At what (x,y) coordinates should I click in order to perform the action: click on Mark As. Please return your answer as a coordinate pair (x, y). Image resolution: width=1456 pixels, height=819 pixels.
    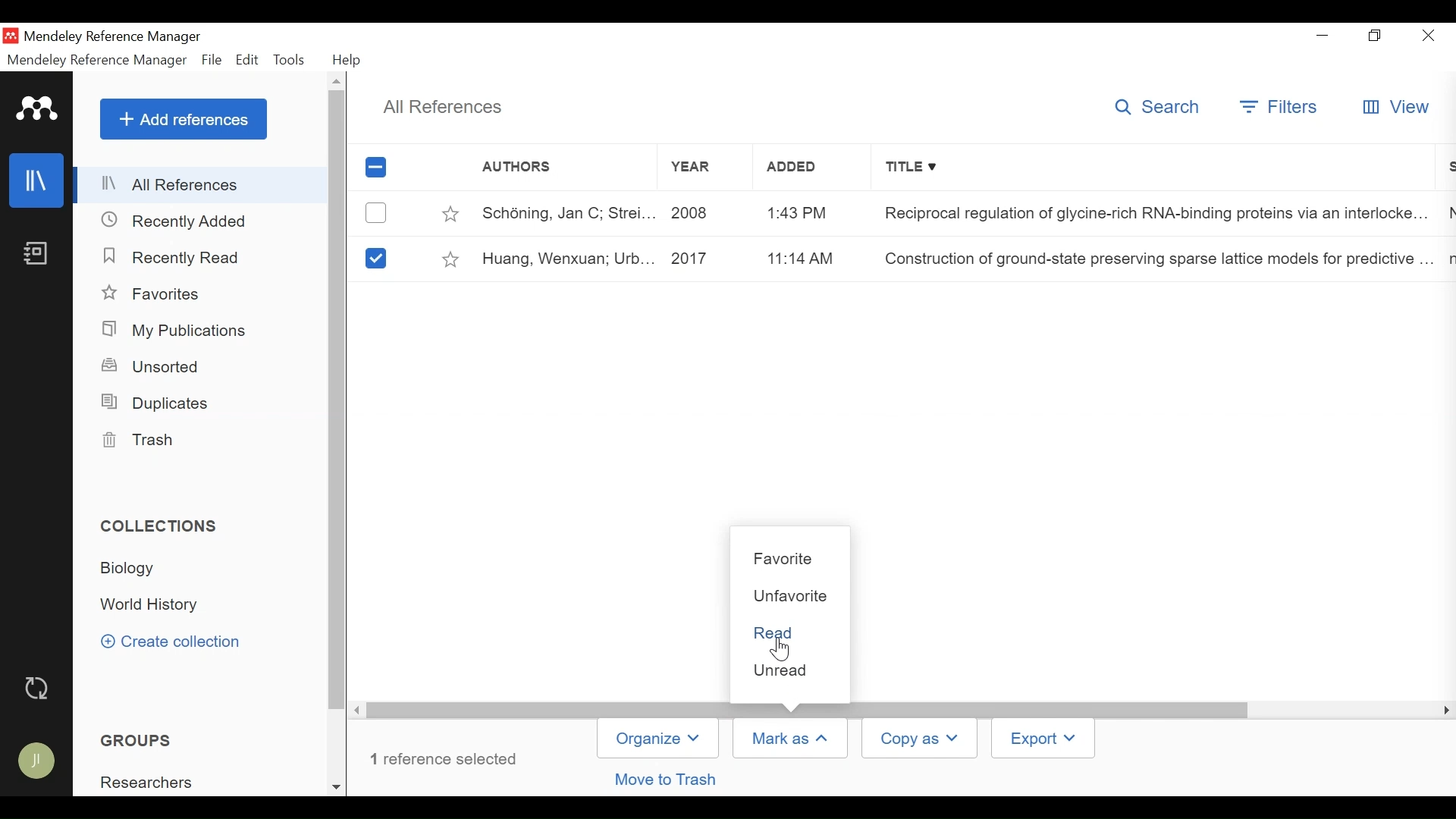
    Looking at the image, I should click on (790, 738).